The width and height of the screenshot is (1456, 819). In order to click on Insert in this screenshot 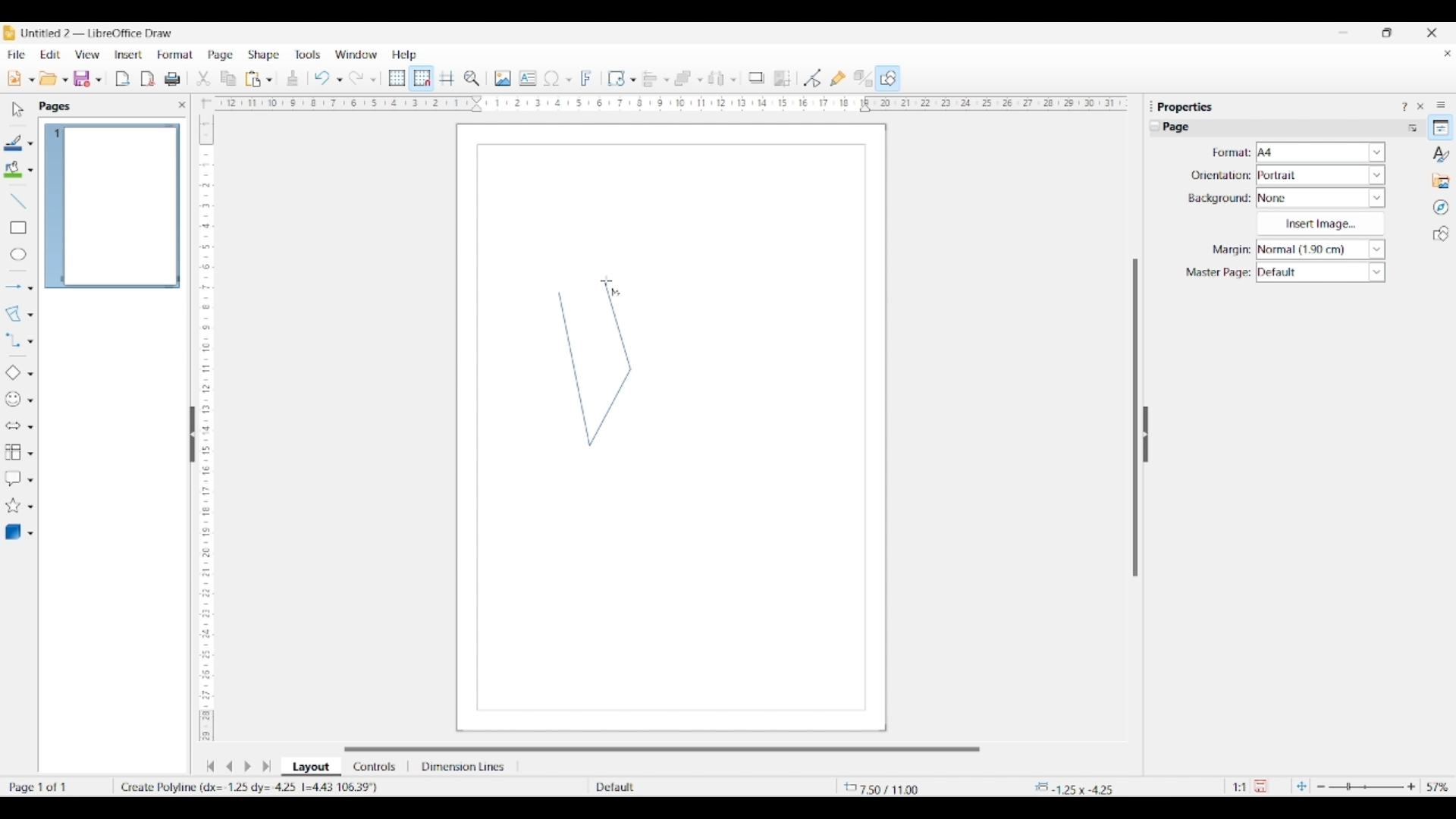, I will do `click(129, 55)`.